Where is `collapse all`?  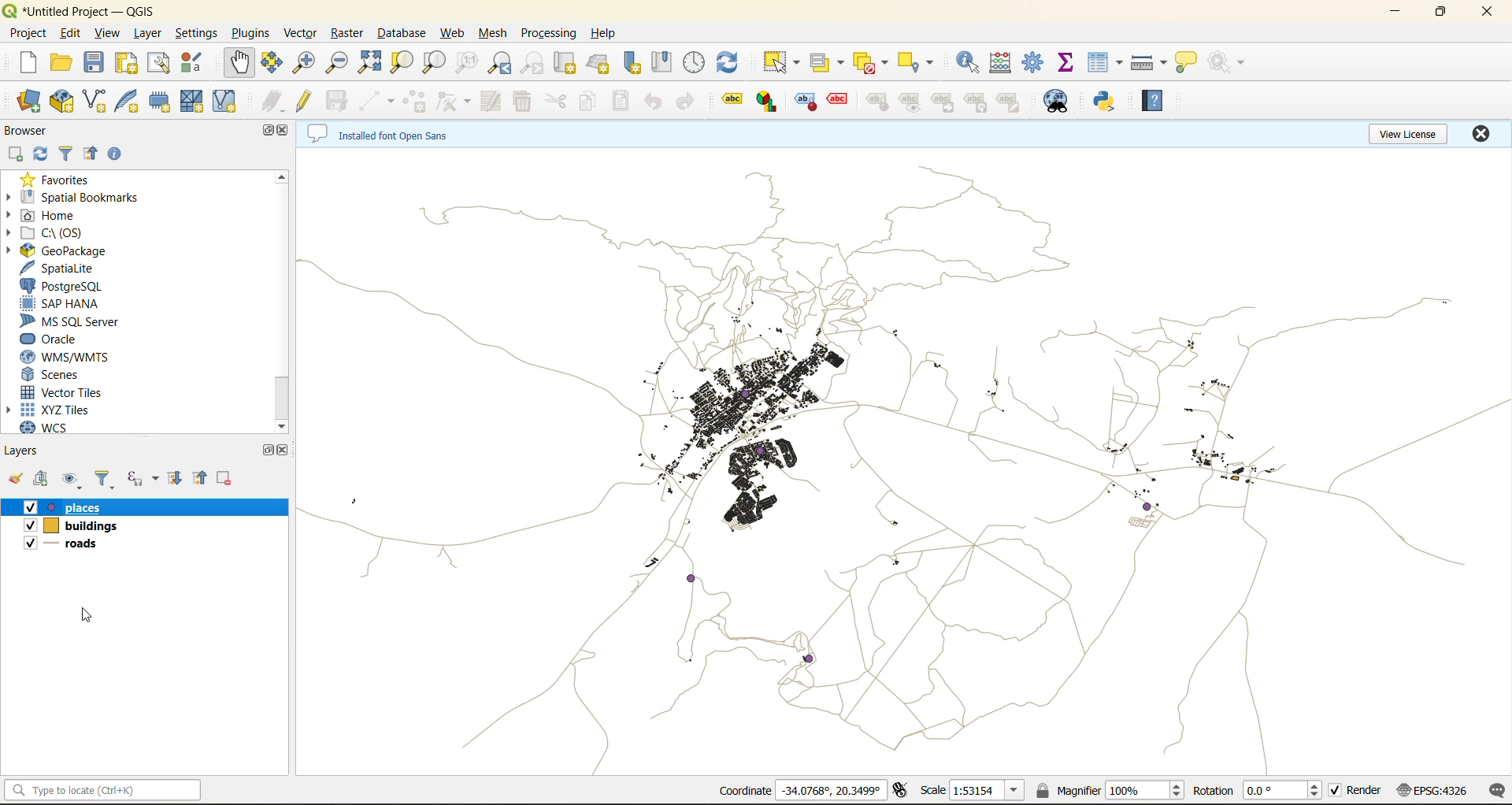 collapse all is located at coordinates (91, 157).